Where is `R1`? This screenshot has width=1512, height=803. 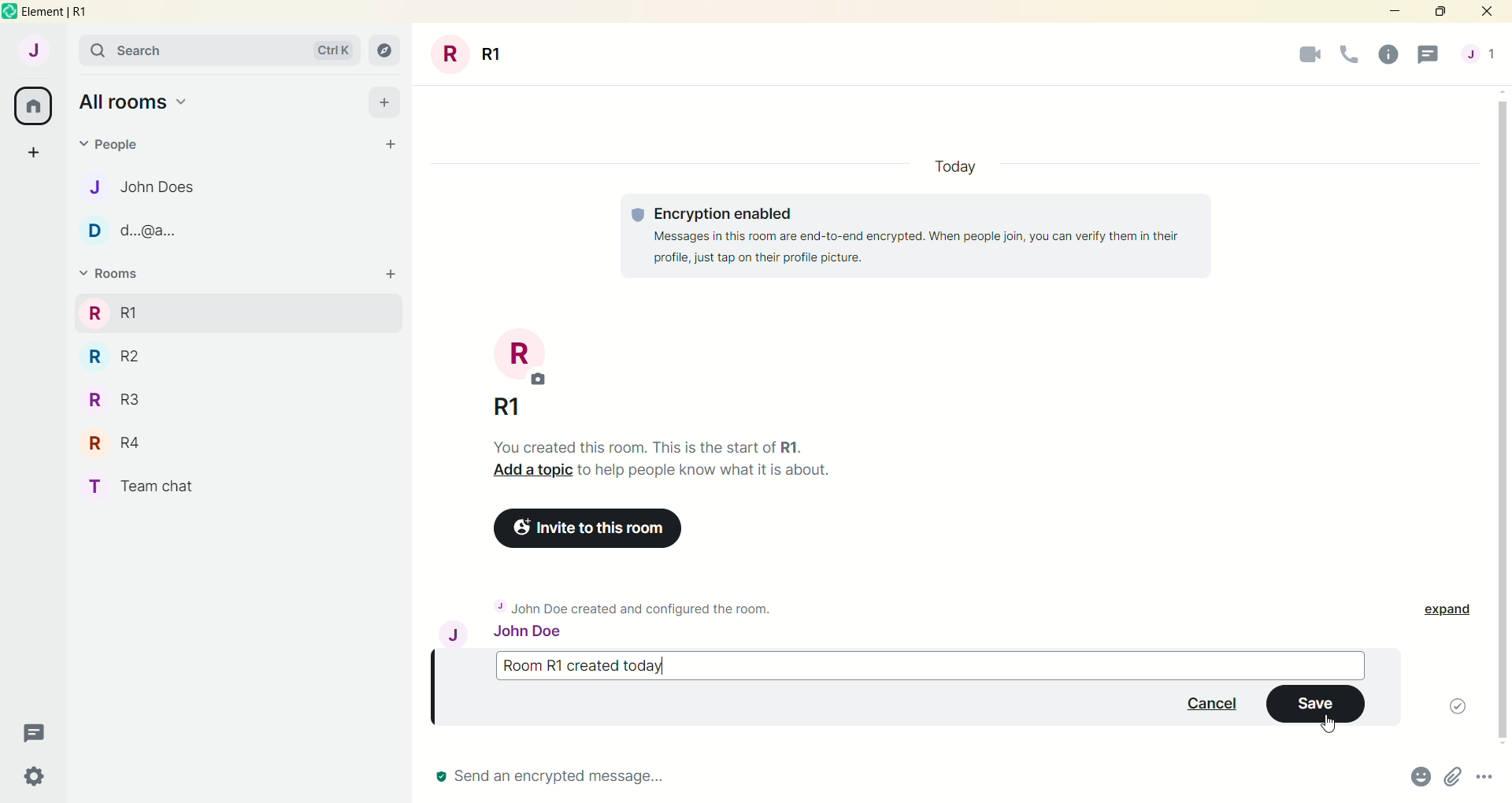
R1 is located at coordinates (510, 409).